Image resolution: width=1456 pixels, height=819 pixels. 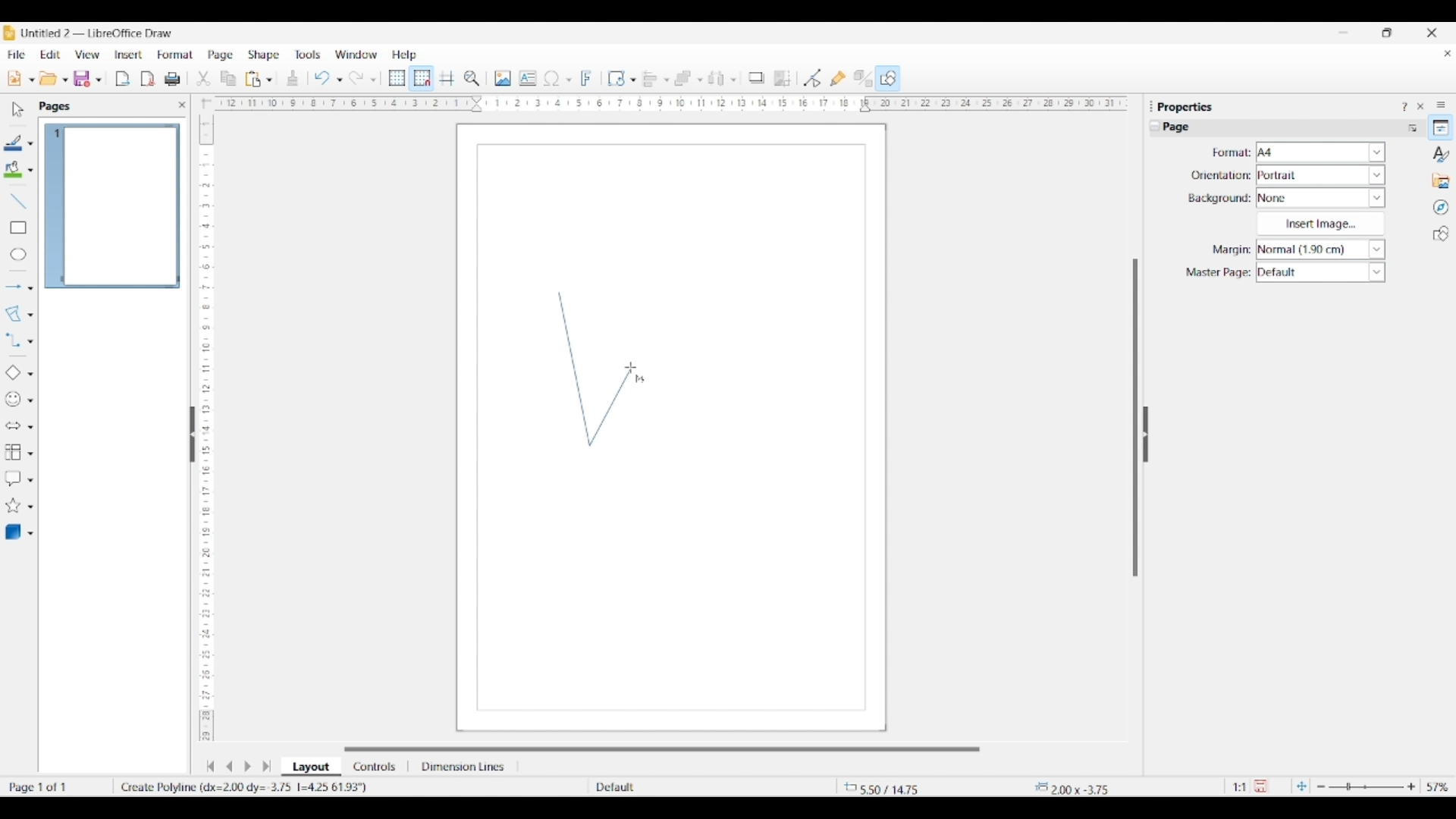 I want to click on Vertical ruler, so click(x=204, y=421).